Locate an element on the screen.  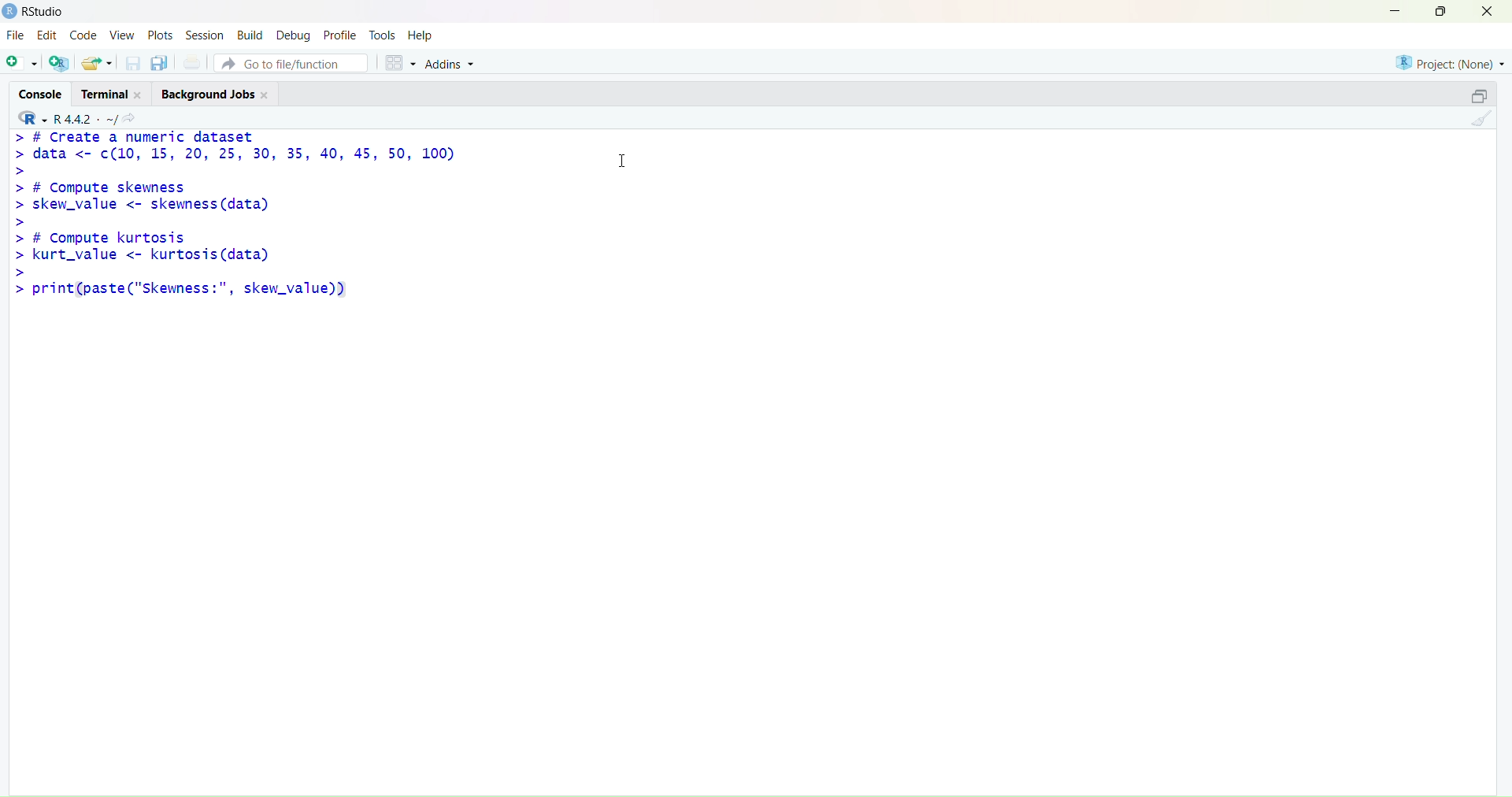
Close is located at coordinates (1492, 16).